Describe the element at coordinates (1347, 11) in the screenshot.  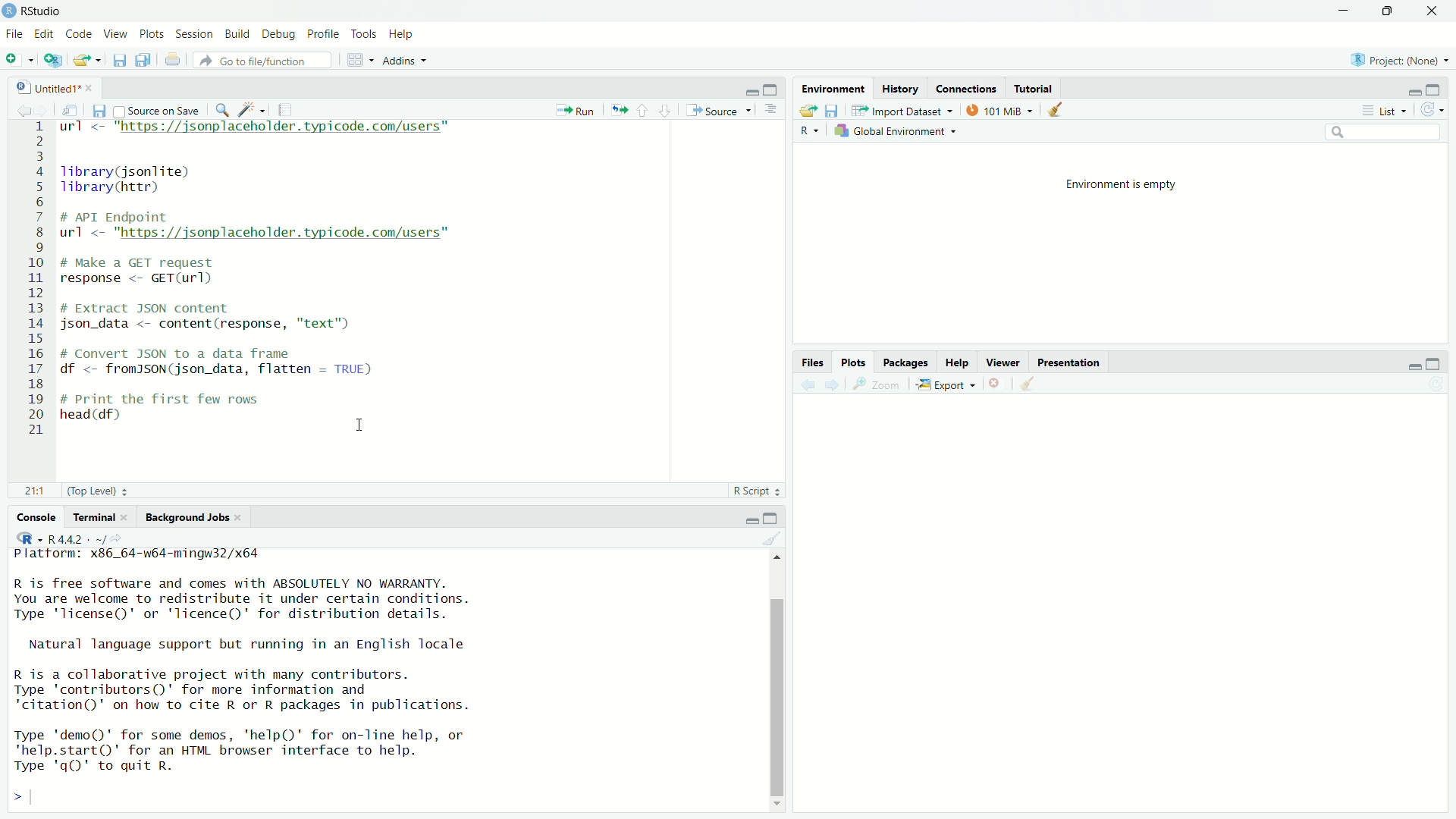
I see `Minimize` at that location.